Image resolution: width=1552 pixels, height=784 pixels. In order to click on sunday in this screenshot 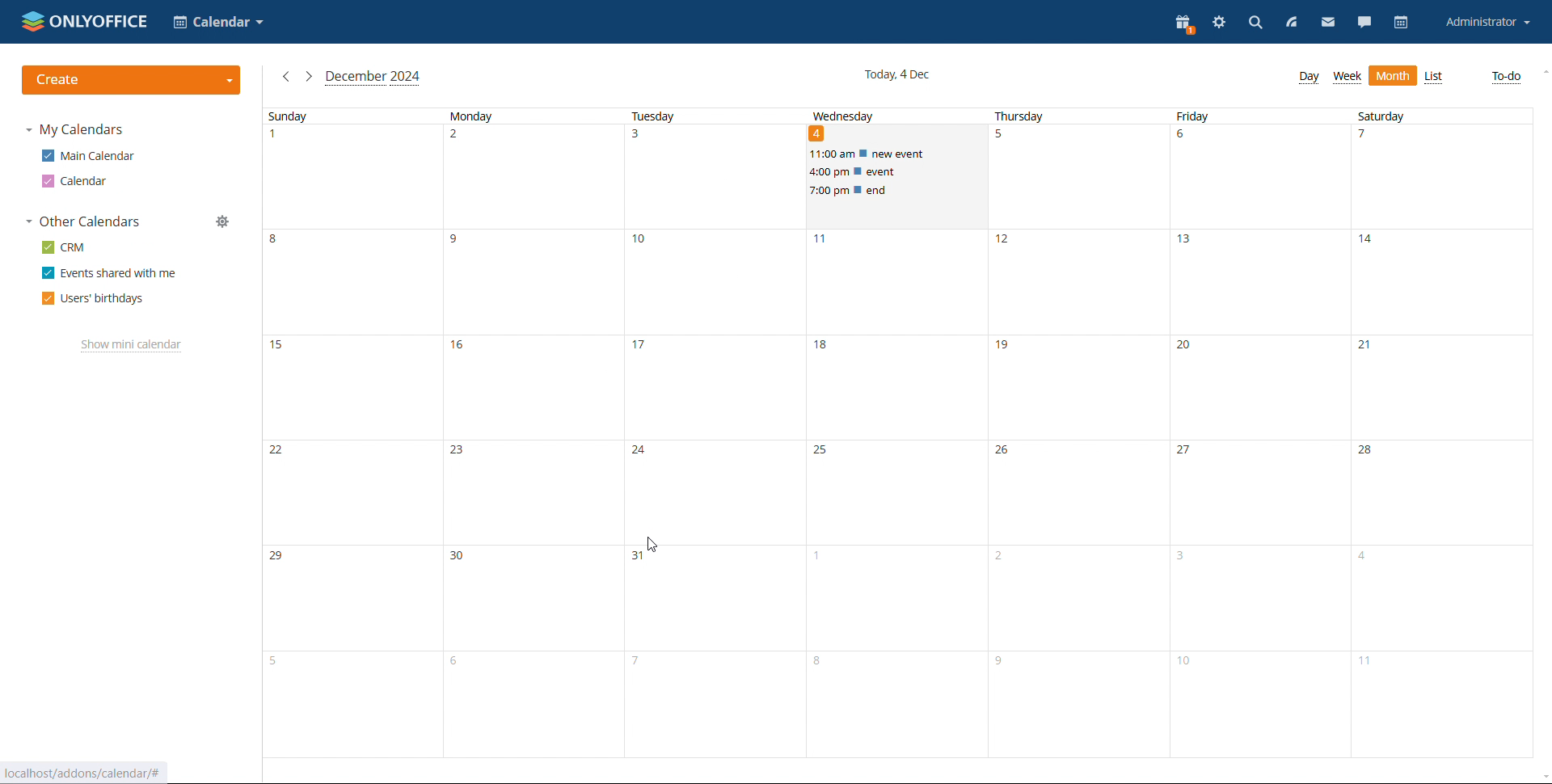, I will do `click(351, 433)`.